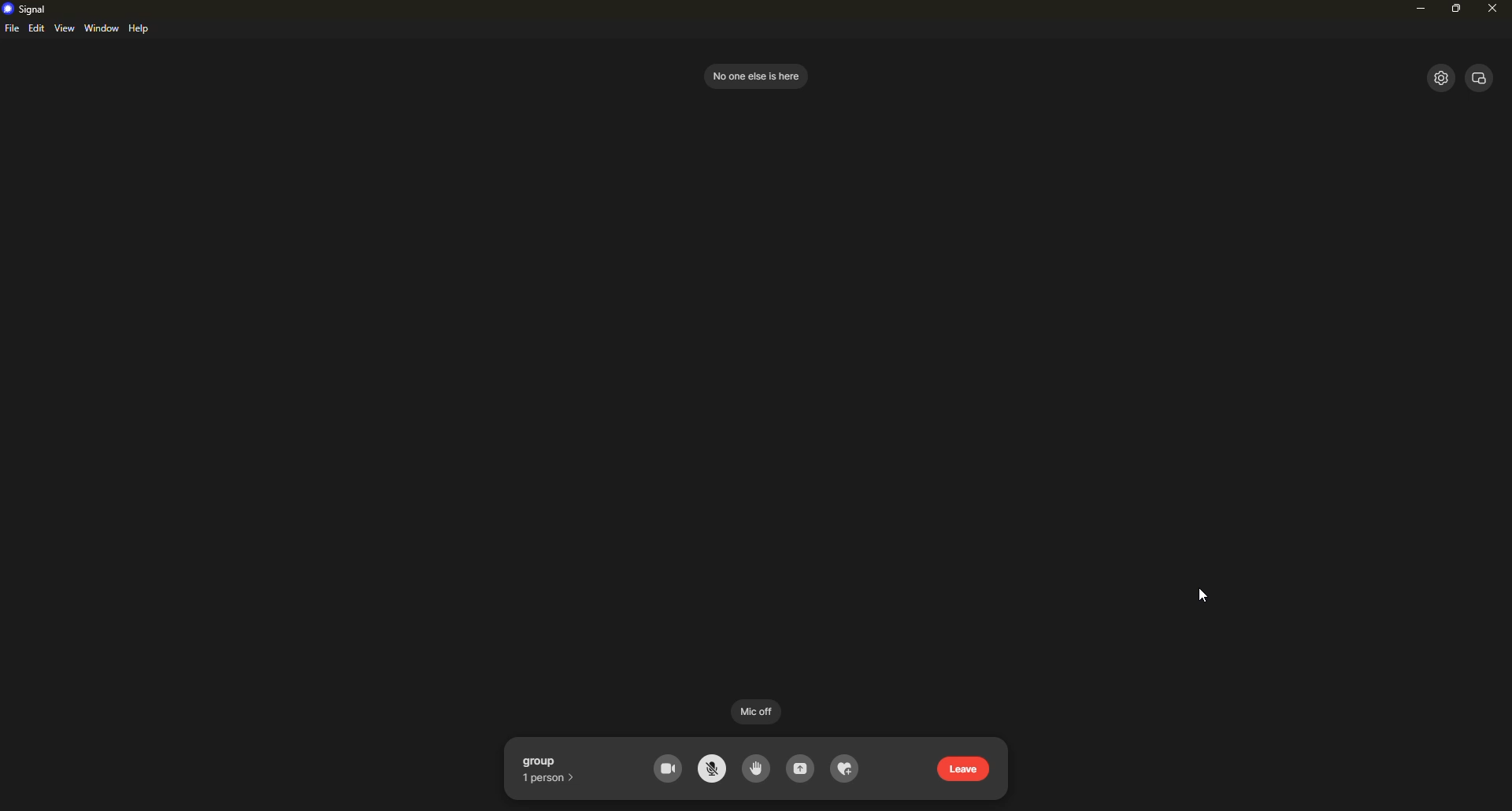 The image size is (1512, 811). What do you see at coordinates (65, 28) in the screenshot?
I see `view` at bounding box center [65, 28].